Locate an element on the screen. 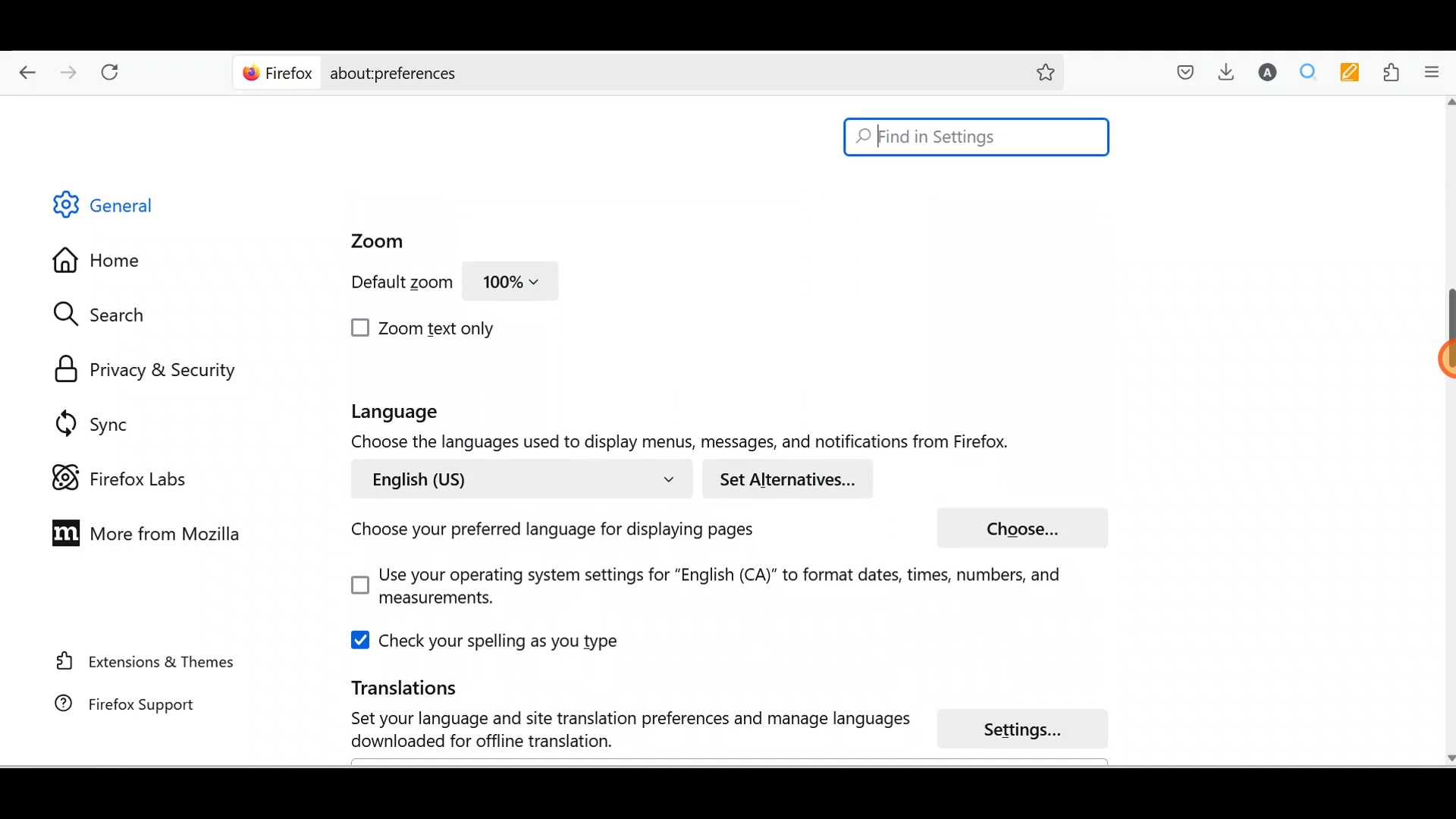 Image resolution: width=1456 pixels, height=819 pixels. Set your language and site translation preferences and manage language download for offline translation. is located at coordinates (616, 730).